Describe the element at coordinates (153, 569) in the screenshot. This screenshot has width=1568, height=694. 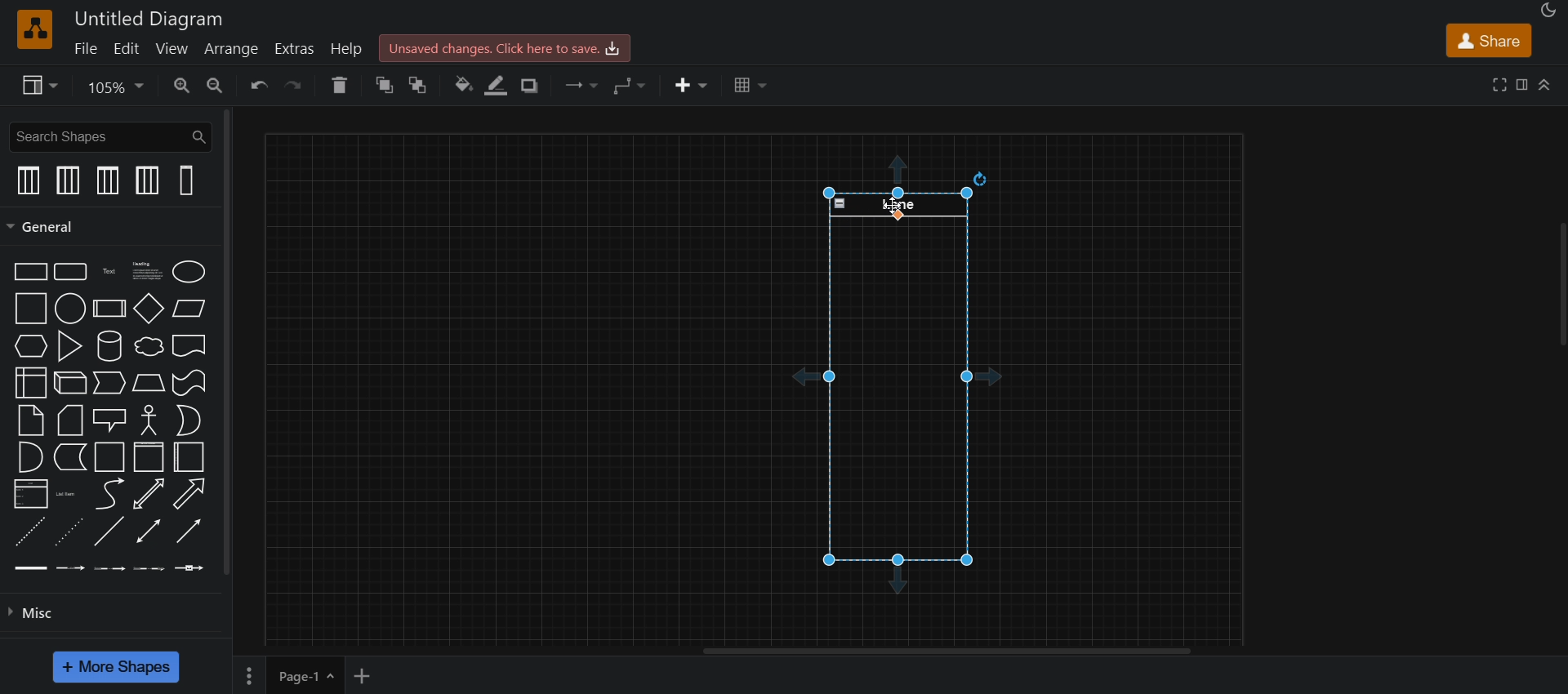
I see `connector with 3 labels` at that location.